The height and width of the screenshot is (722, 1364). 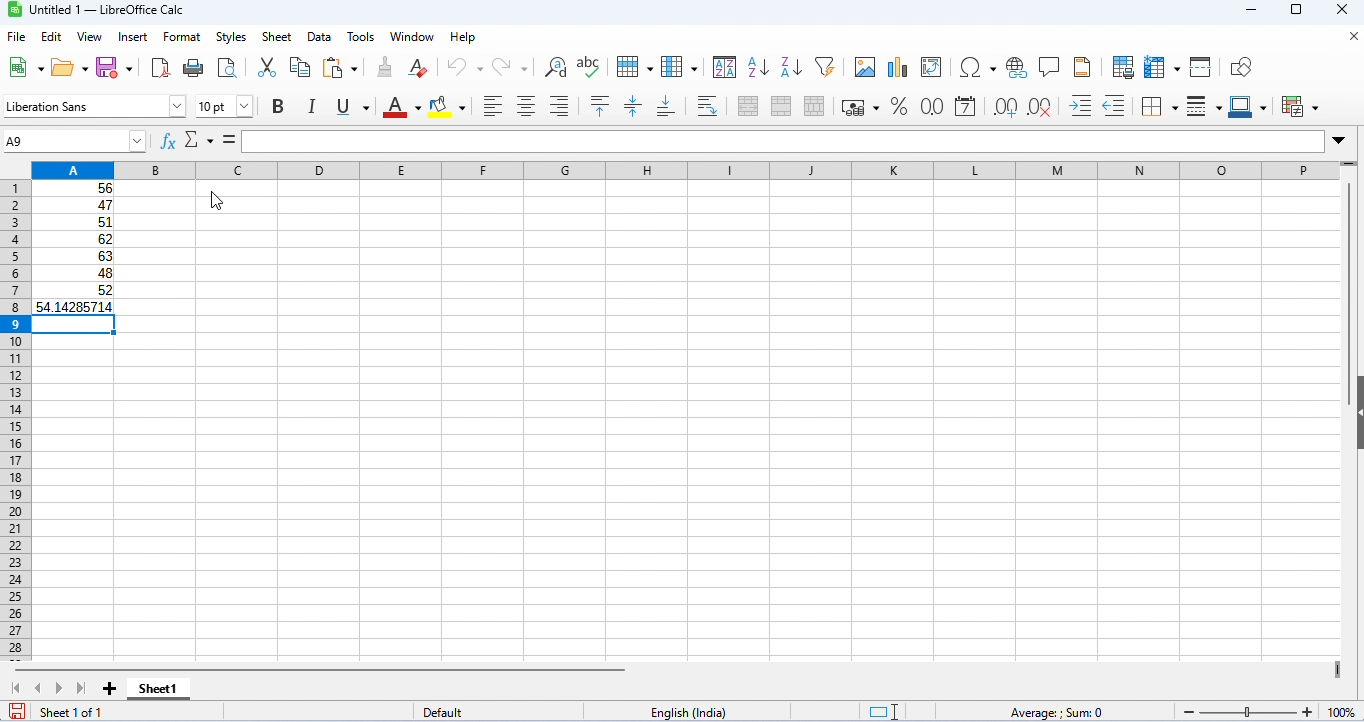 I want to click on merge and center, so click(x=749, y=106).